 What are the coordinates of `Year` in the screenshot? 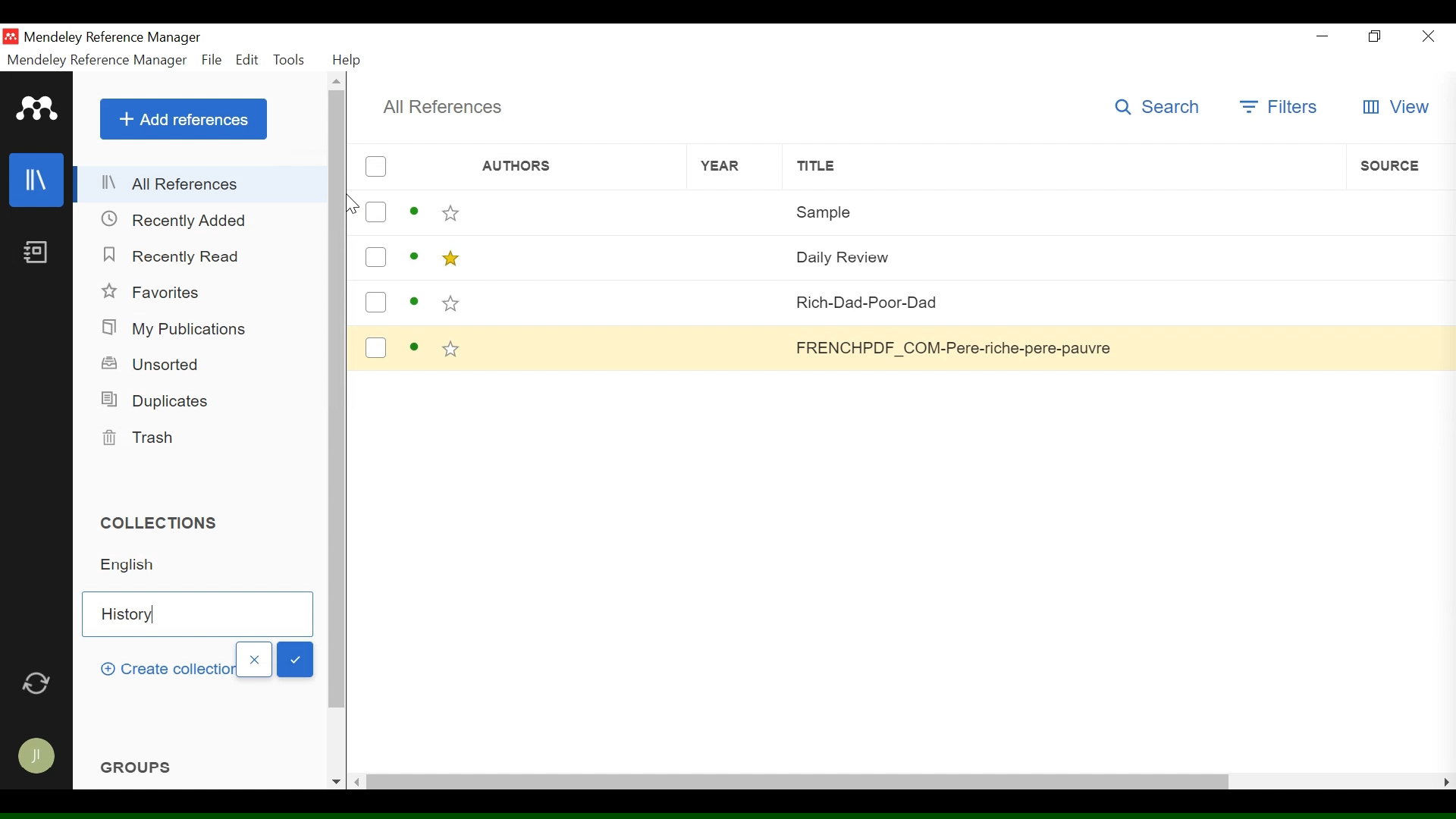 It's located at (734, 214).